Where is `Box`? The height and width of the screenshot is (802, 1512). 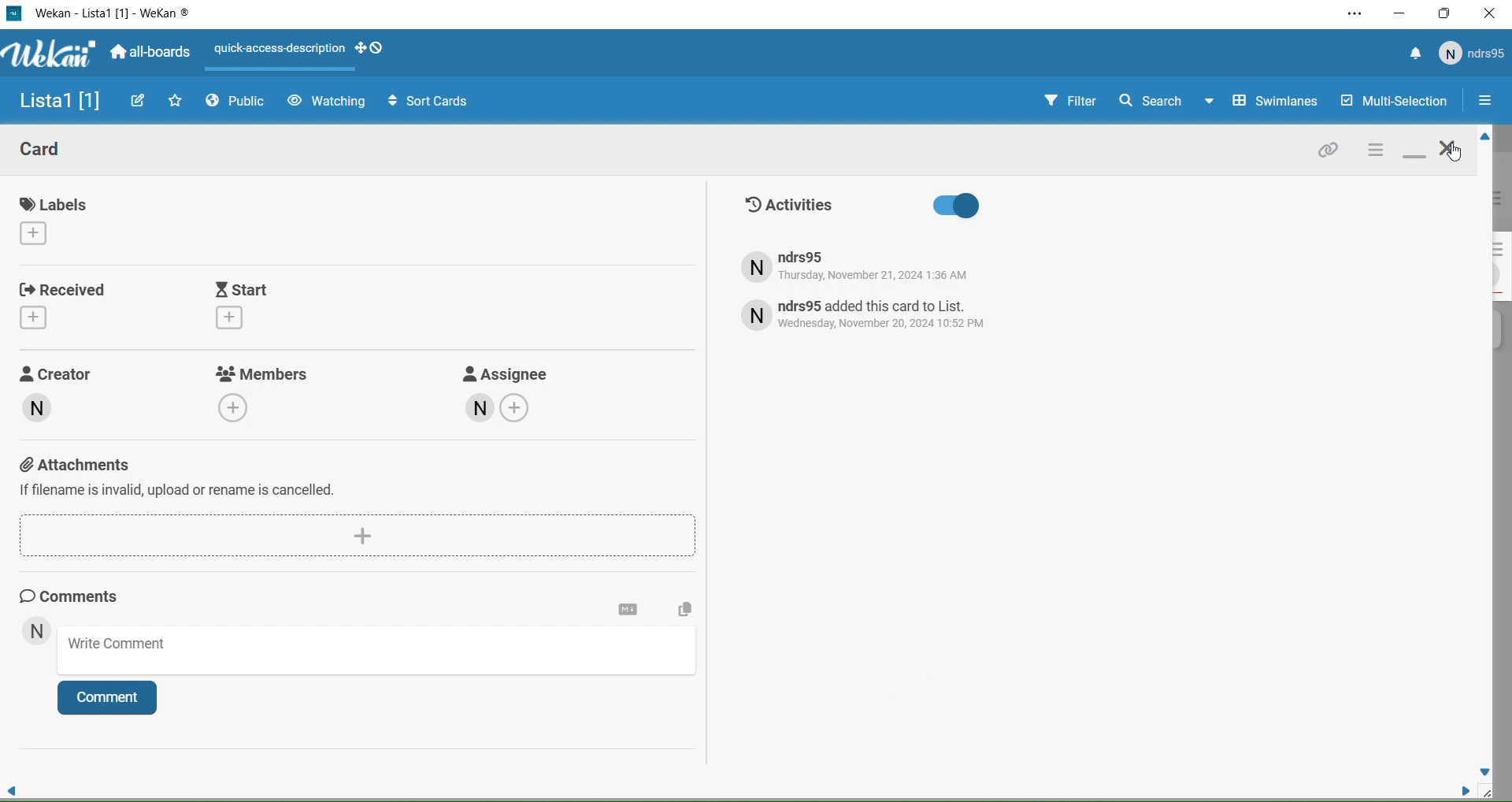
Box is located at coordinates (1446, 13).